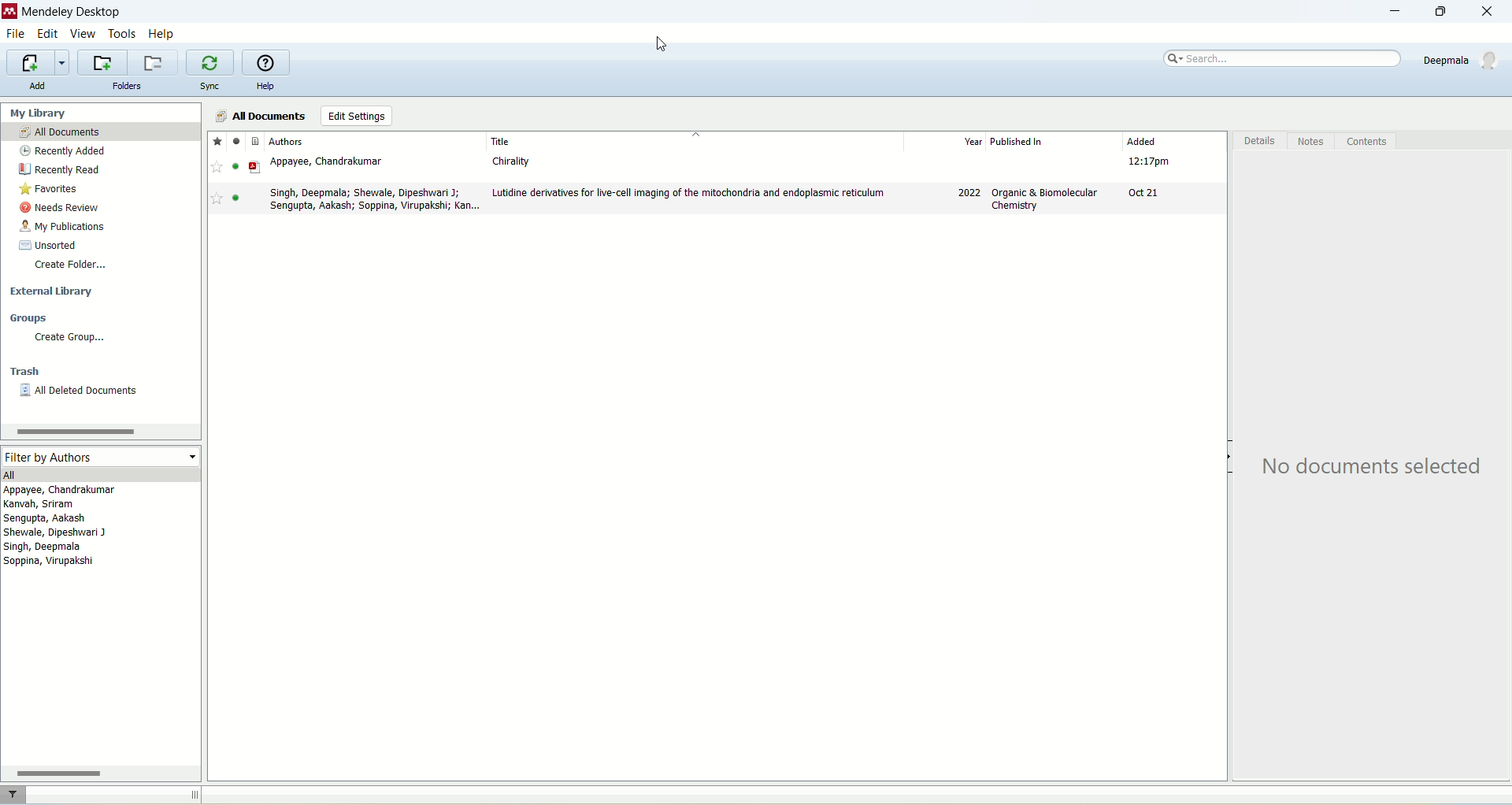 This screenshot has height=805, width=1512. I want to click on help, so click(161, 33).